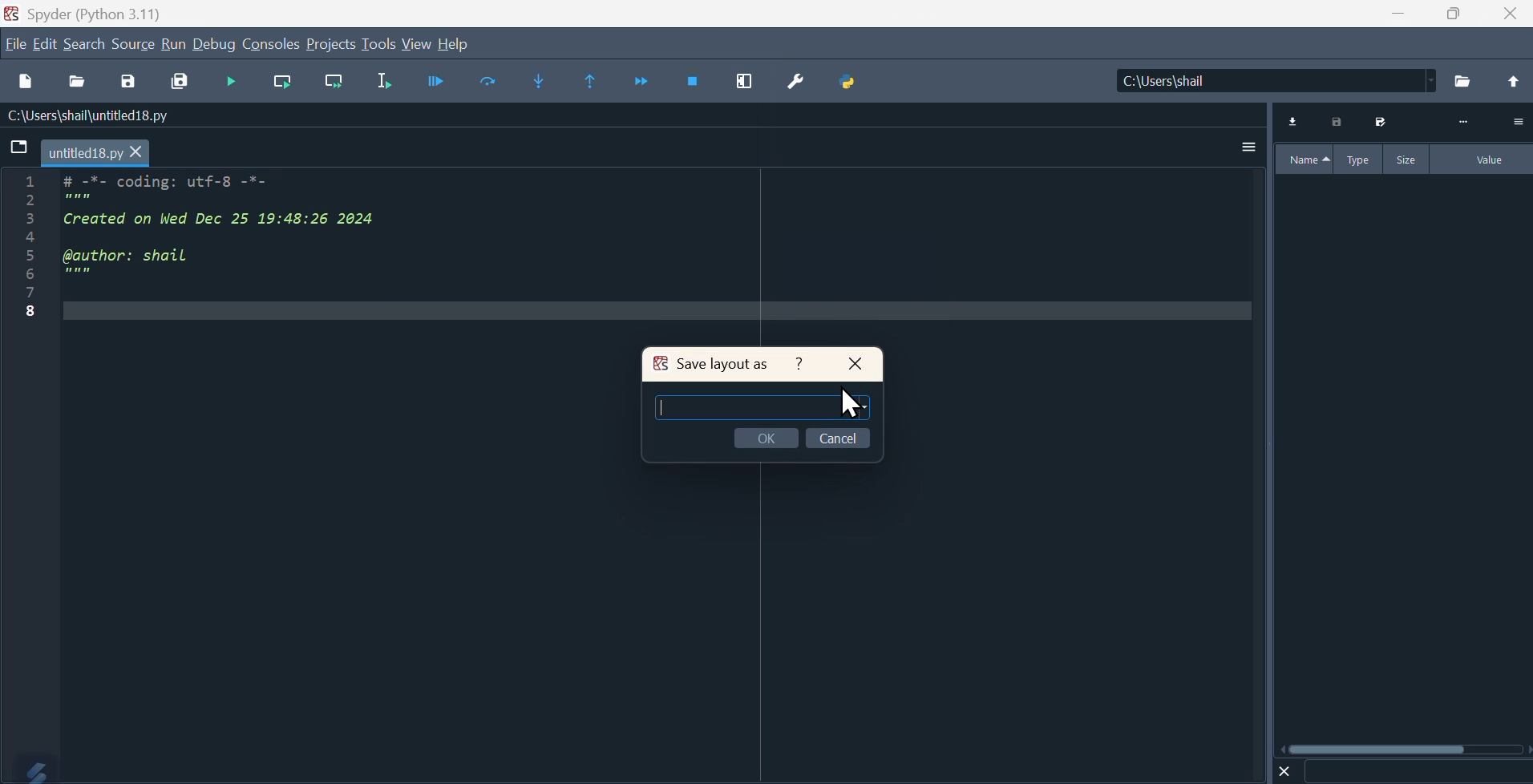 The image size is (1533, 784). What do you see at coordinates (1483, 160) in the screenshot?
I see `Value` at bounding box center [1483, 160].